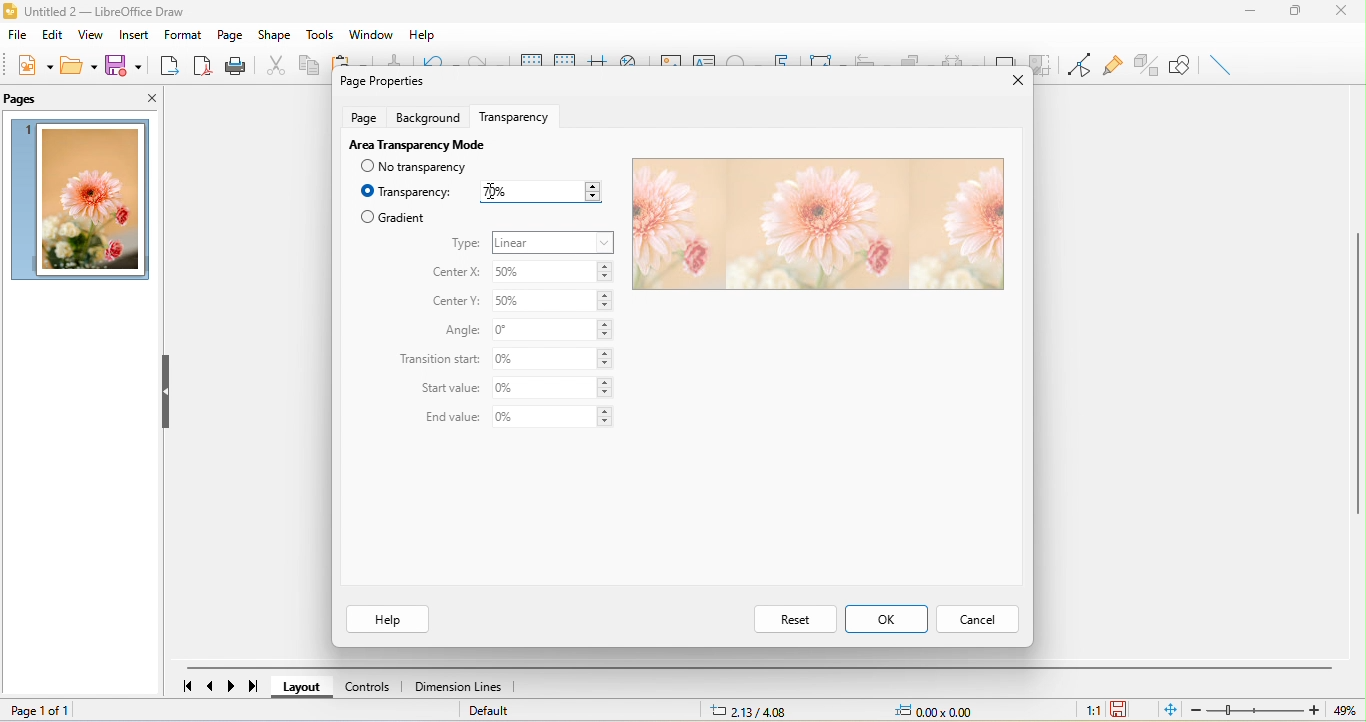 The height and width of the screenshot is (722, 1366). What do you see at coordinates (36, 65) in the screenshot?
I see `new` at bounding box center [36, 65].